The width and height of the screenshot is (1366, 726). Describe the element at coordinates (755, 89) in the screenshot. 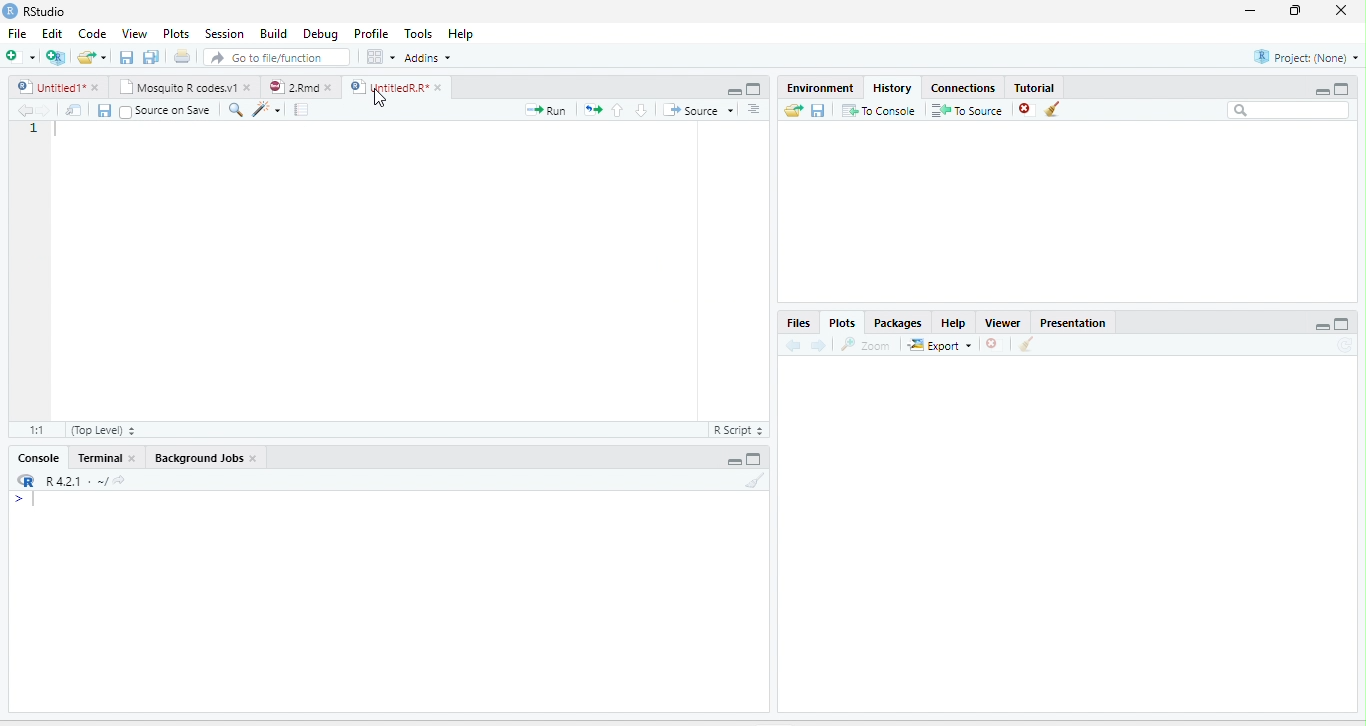

I see `Maximize` at that location.